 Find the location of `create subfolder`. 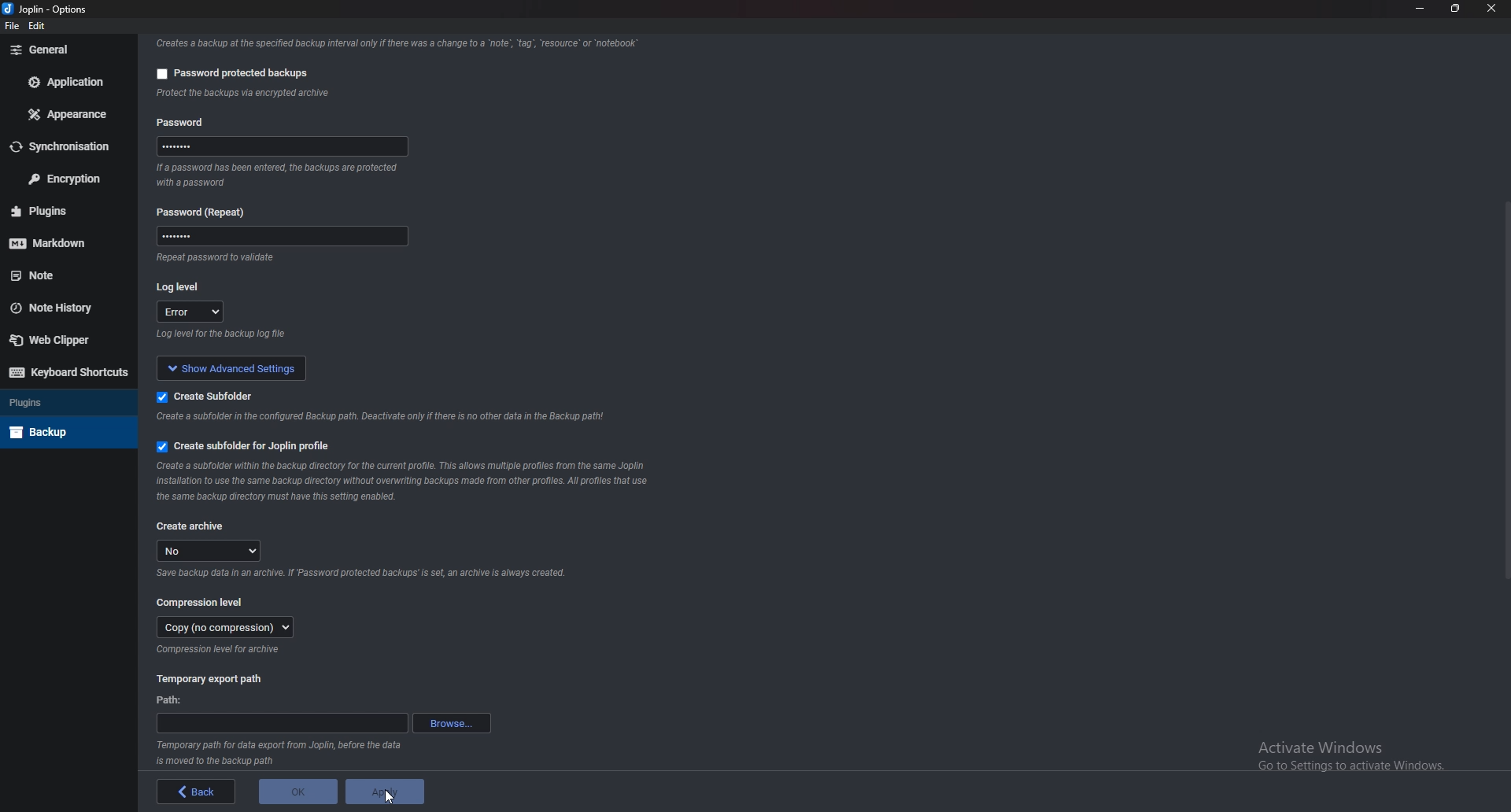

create subfolder is located at coordinates (208, 396).